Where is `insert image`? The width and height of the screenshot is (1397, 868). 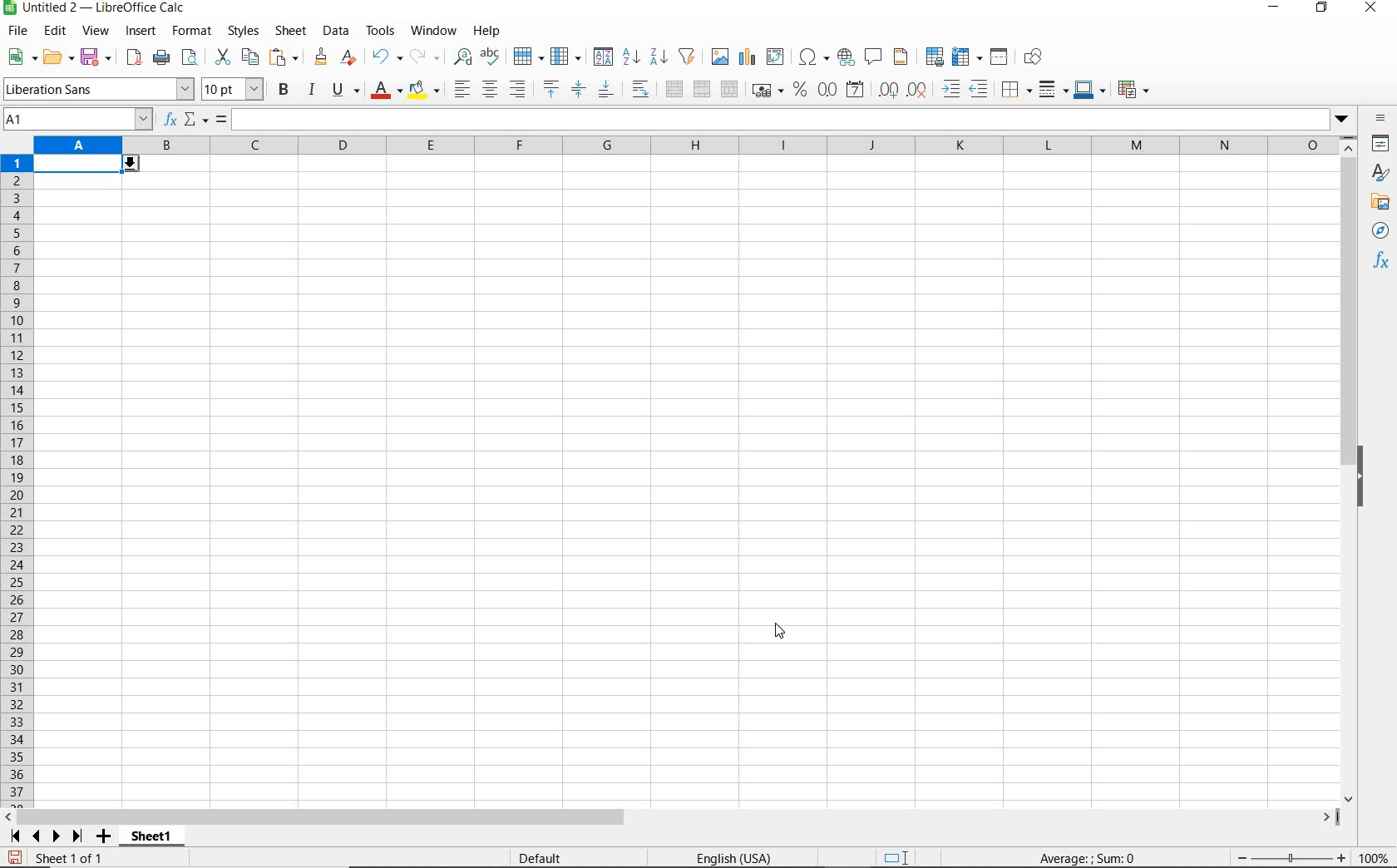
insert image is located at coordinates (722, 57).